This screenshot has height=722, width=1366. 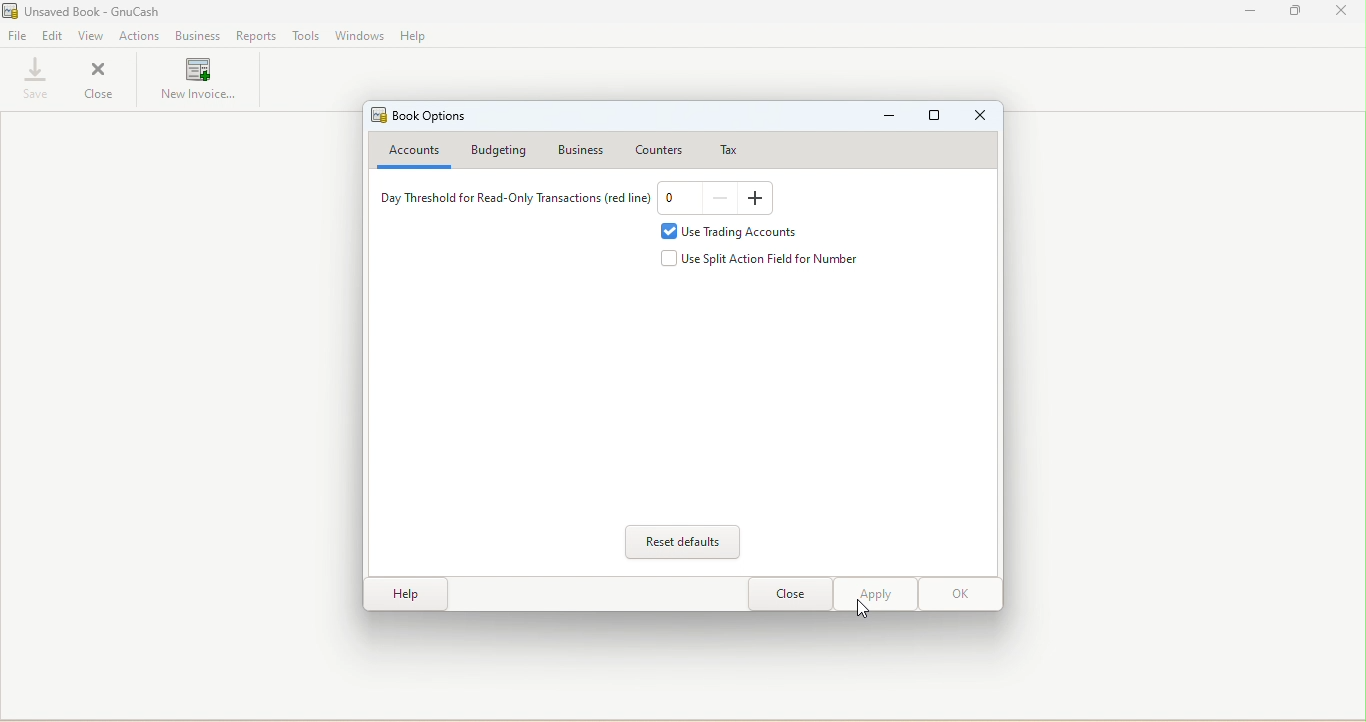 I want to click on Maximize, so click(x=935, y=118).